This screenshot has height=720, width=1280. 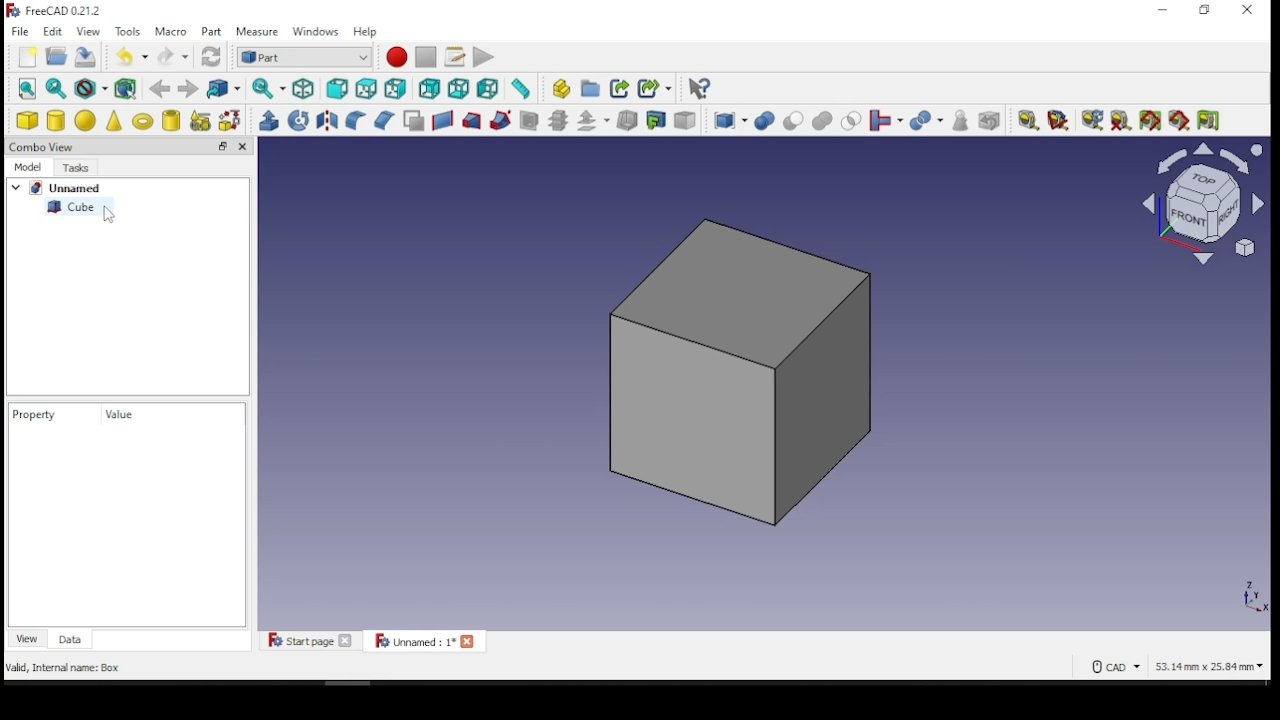 What do you see at coordinates (54, 32) in the screenshot?
I see `edit` at bounding box center [54, 32].